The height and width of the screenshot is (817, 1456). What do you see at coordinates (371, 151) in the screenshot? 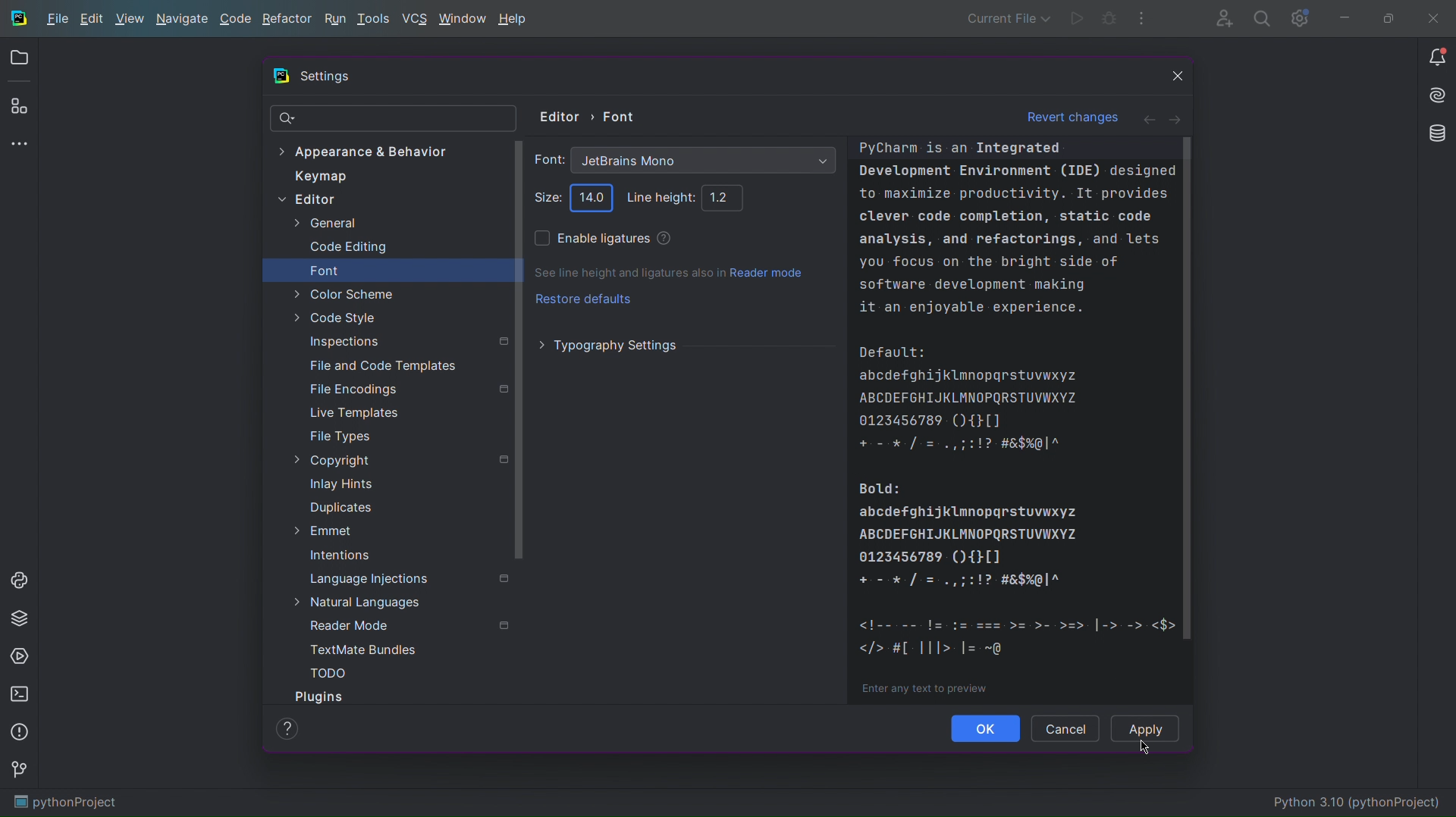
I see `Appearance & Behavior` at bounding box center [371, 151].